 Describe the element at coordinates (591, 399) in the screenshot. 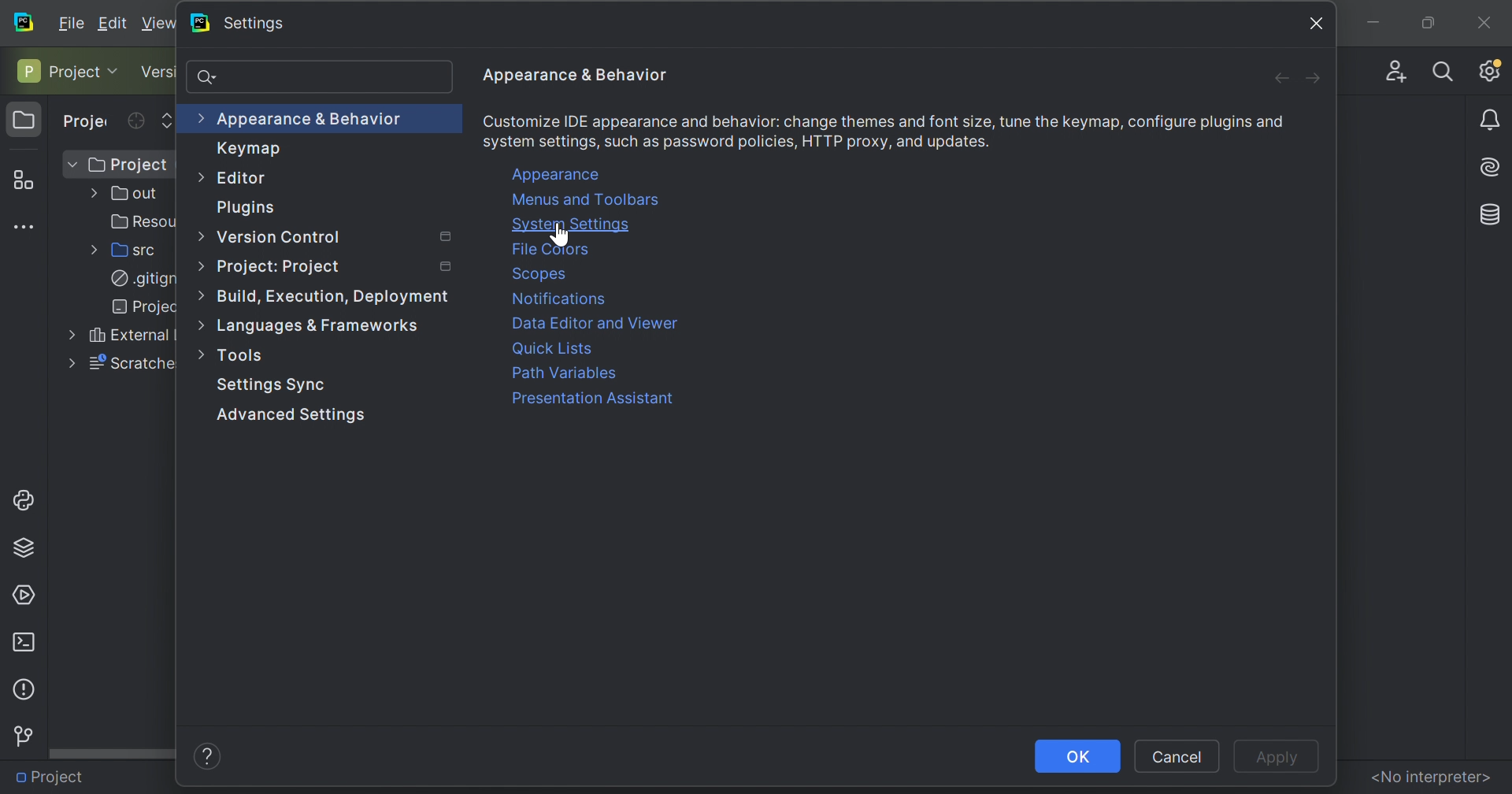

I see `Presentation assistant` at that location.